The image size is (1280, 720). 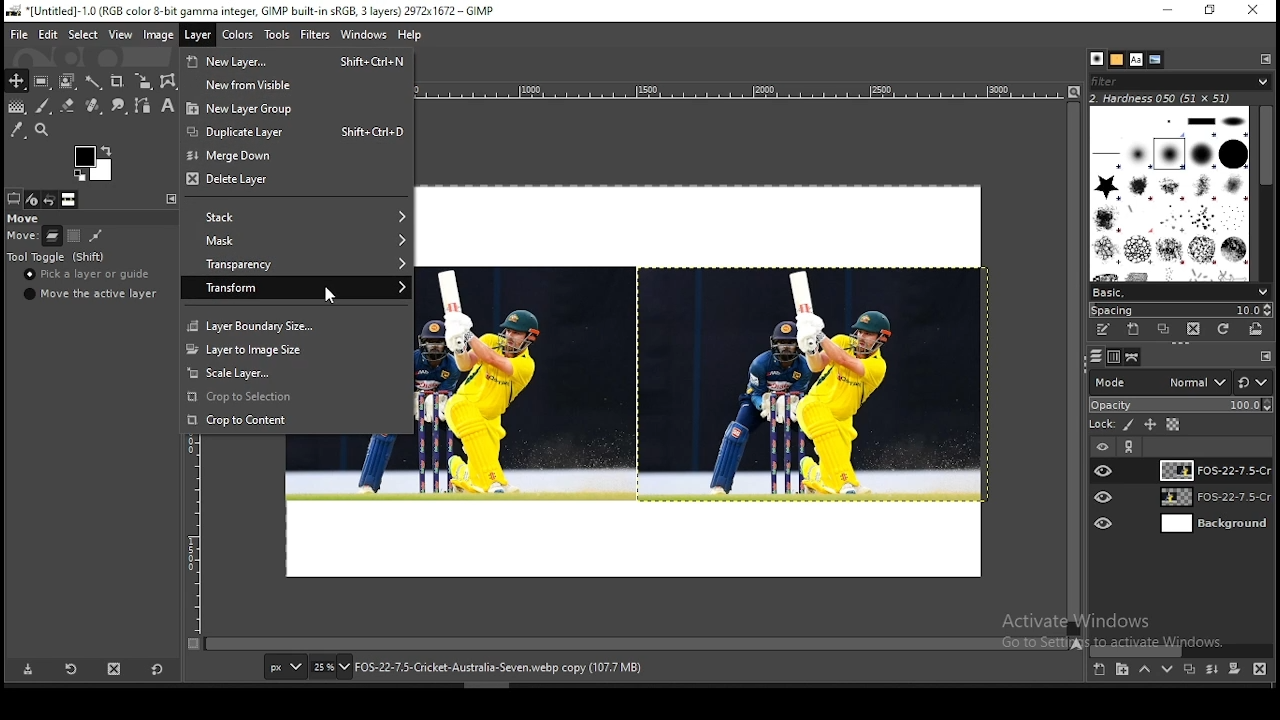 What do you see at coordinates (19, 33) in the screenshot?
I see `file` at bounding box center [19, 33].